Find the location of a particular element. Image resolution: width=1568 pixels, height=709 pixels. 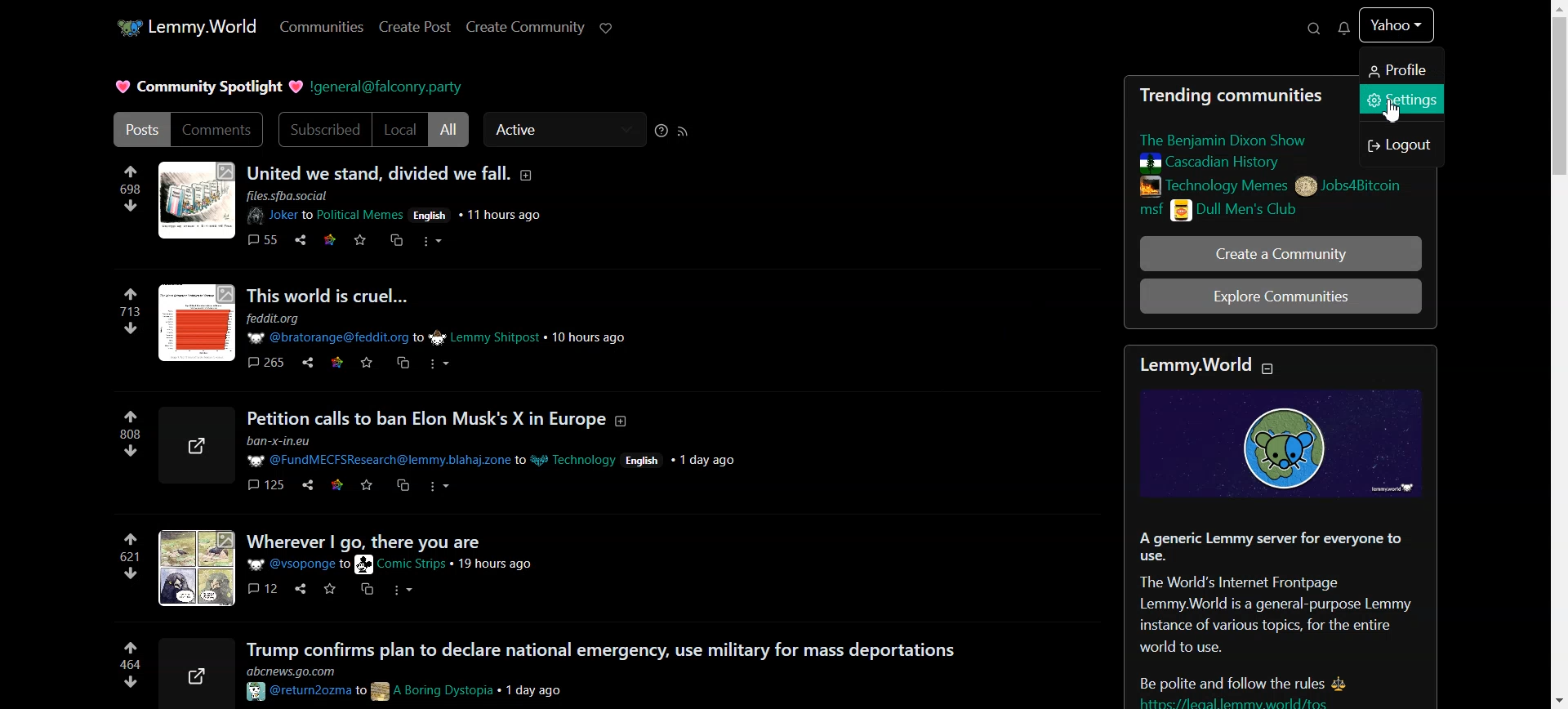

link is located at coordinates (393, 240).